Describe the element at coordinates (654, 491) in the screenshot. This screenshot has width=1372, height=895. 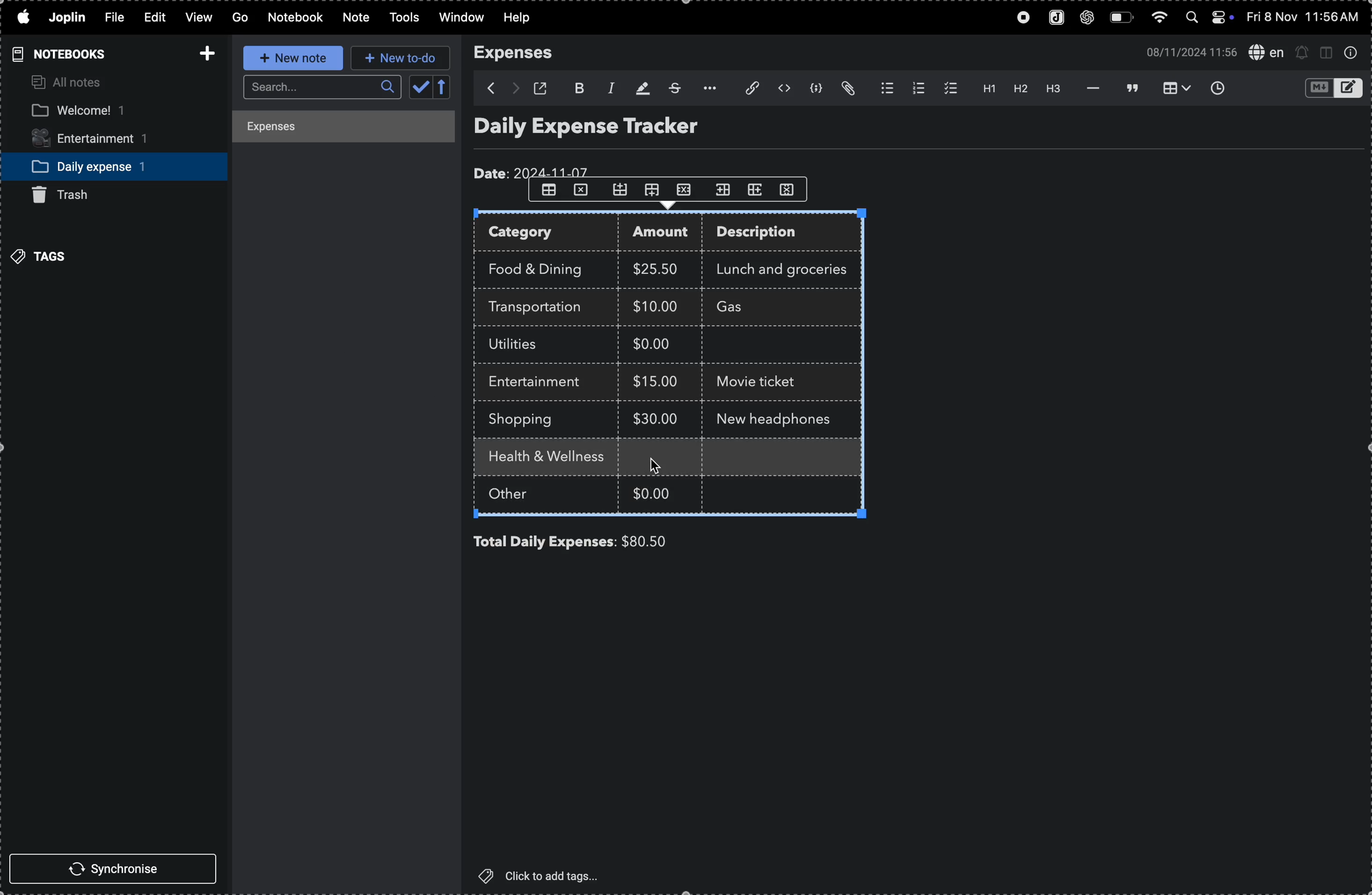
I see `$0.00` at that location.